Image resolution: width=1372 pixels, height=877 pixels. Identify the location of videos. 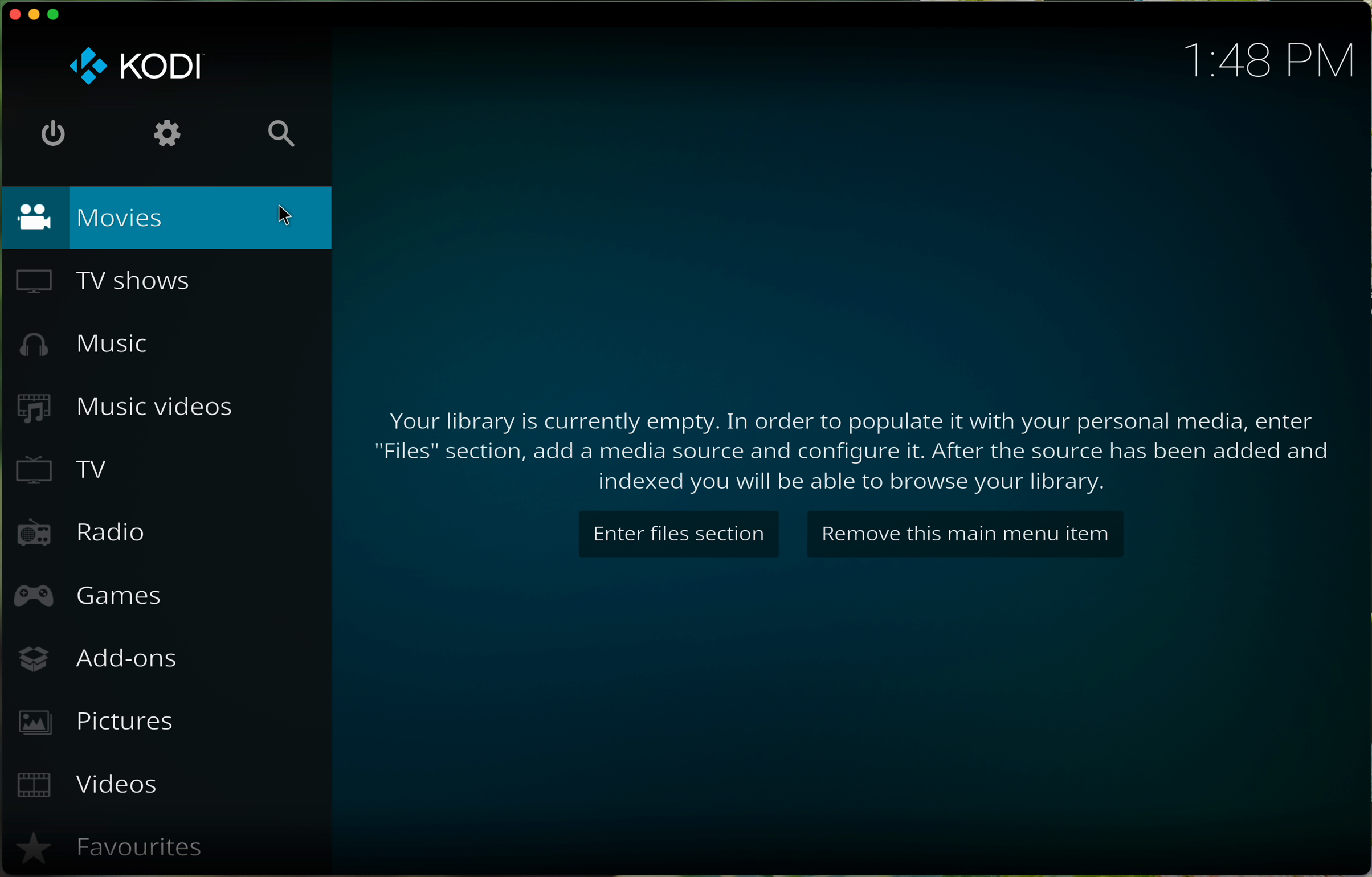
(111, 788).